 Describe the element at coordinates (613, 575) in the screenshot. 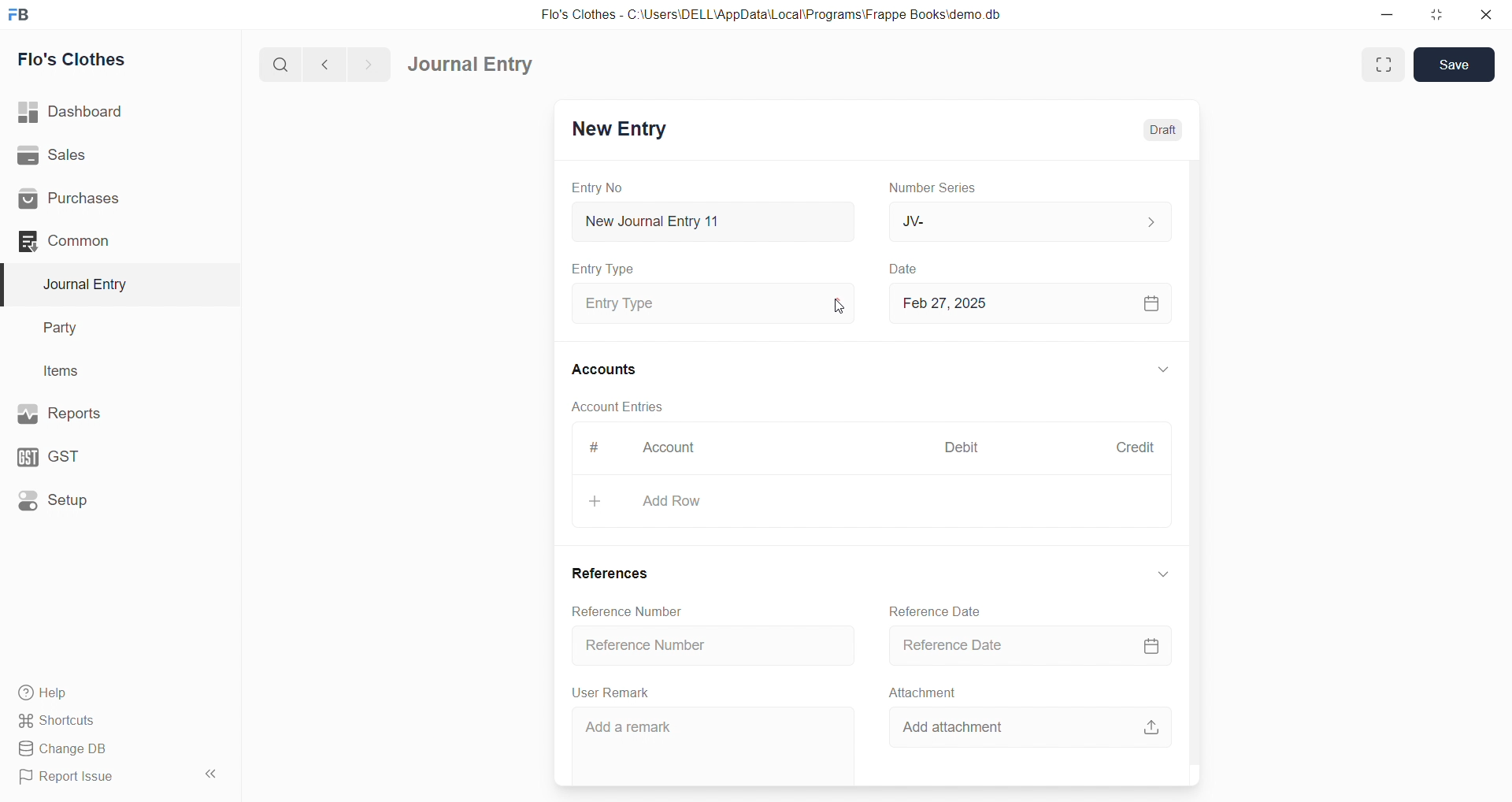

I see `References` at that location.